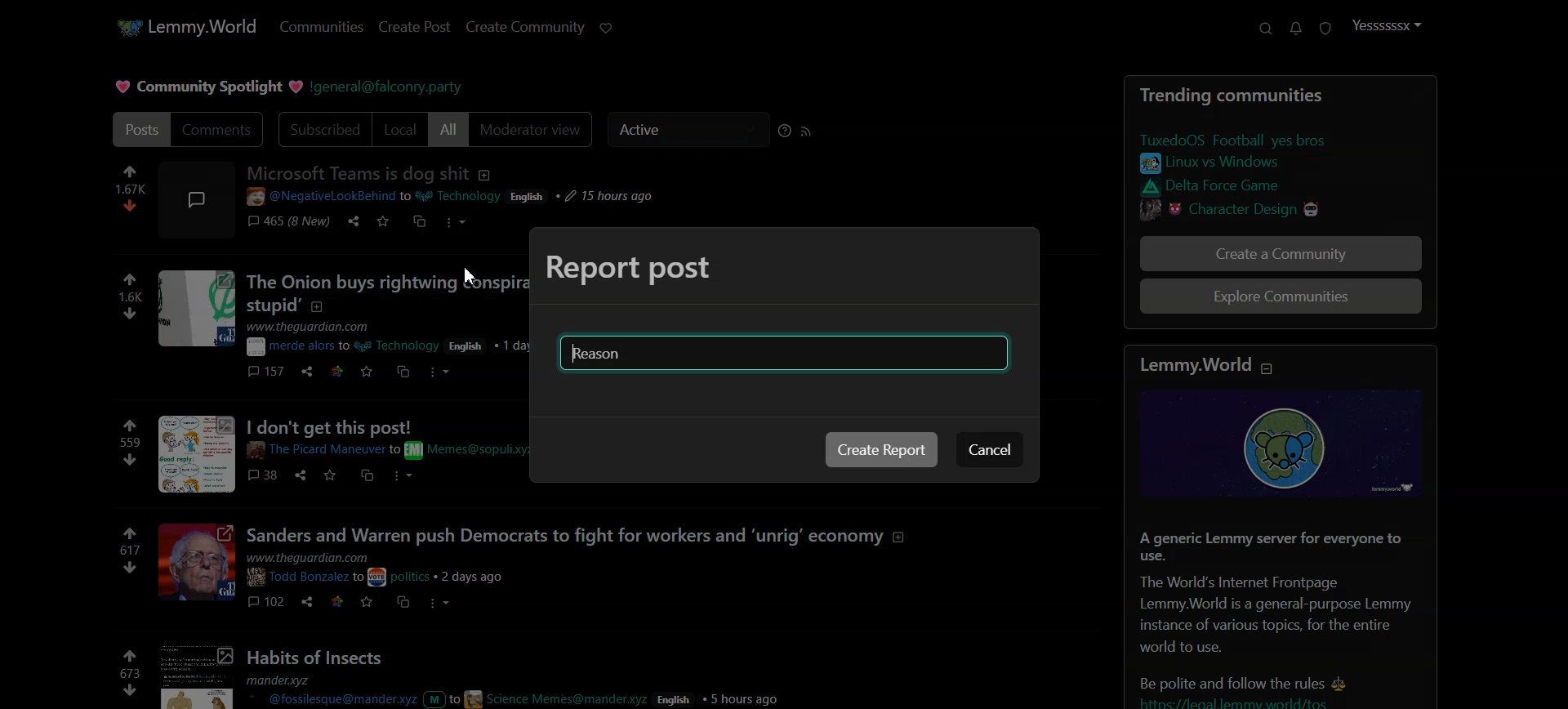 Image resolution: width=1568 pixels, height=709 pixels. What do you see at coordinates (131, 280) in the screenshot?
I see `like` at bounding box center [131, 280].